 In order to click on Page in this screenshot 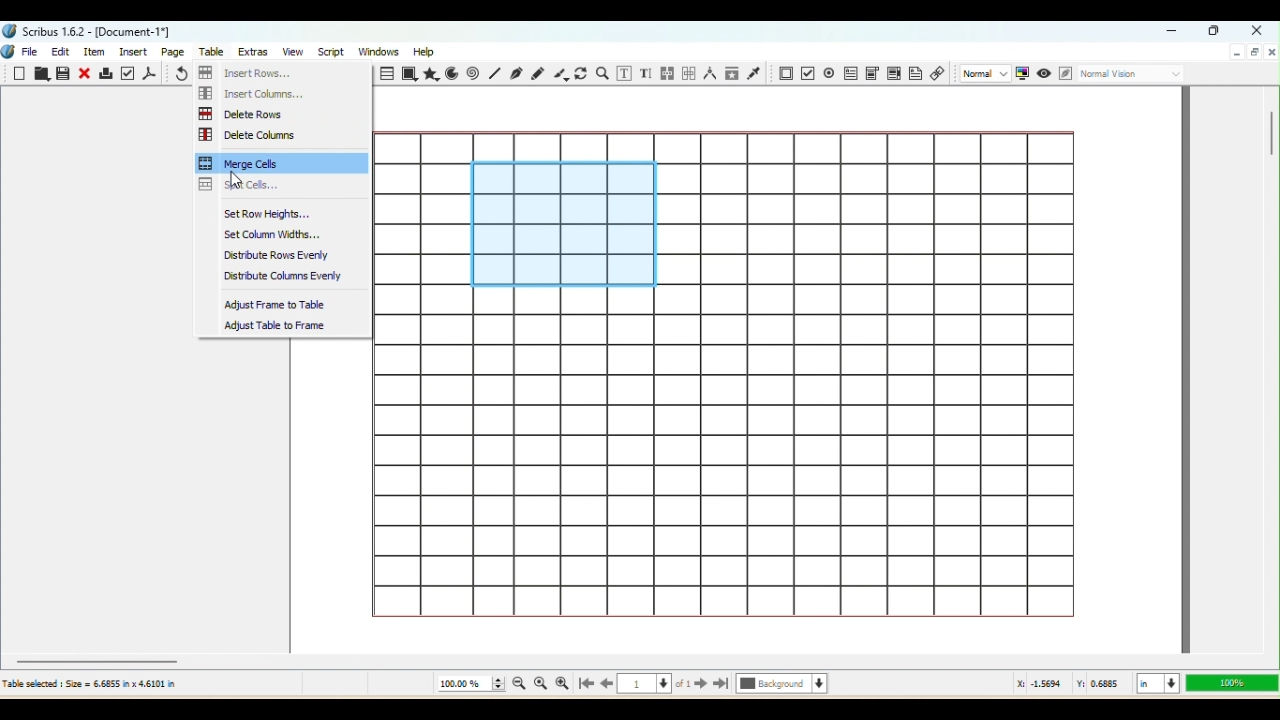, I will do `click(175, 51)`.